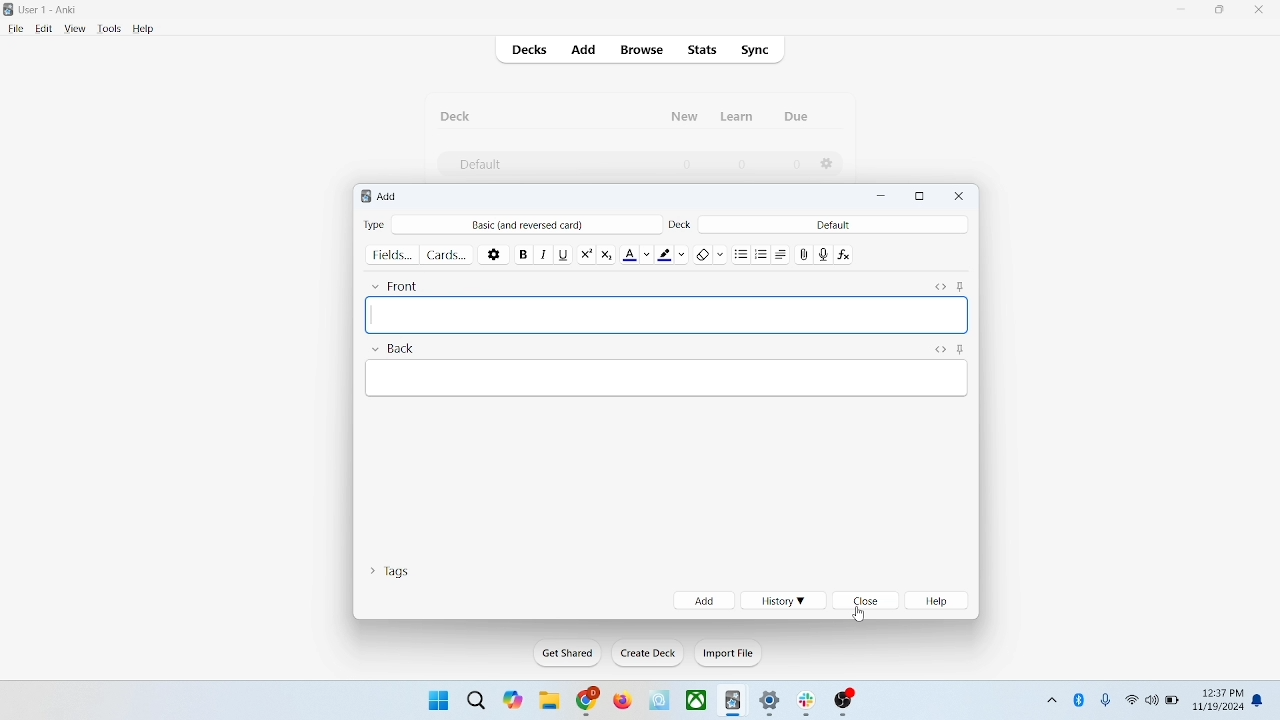 The height and width of the screenshot is (720, 1280). I want to click on import file, so click(729, 653).